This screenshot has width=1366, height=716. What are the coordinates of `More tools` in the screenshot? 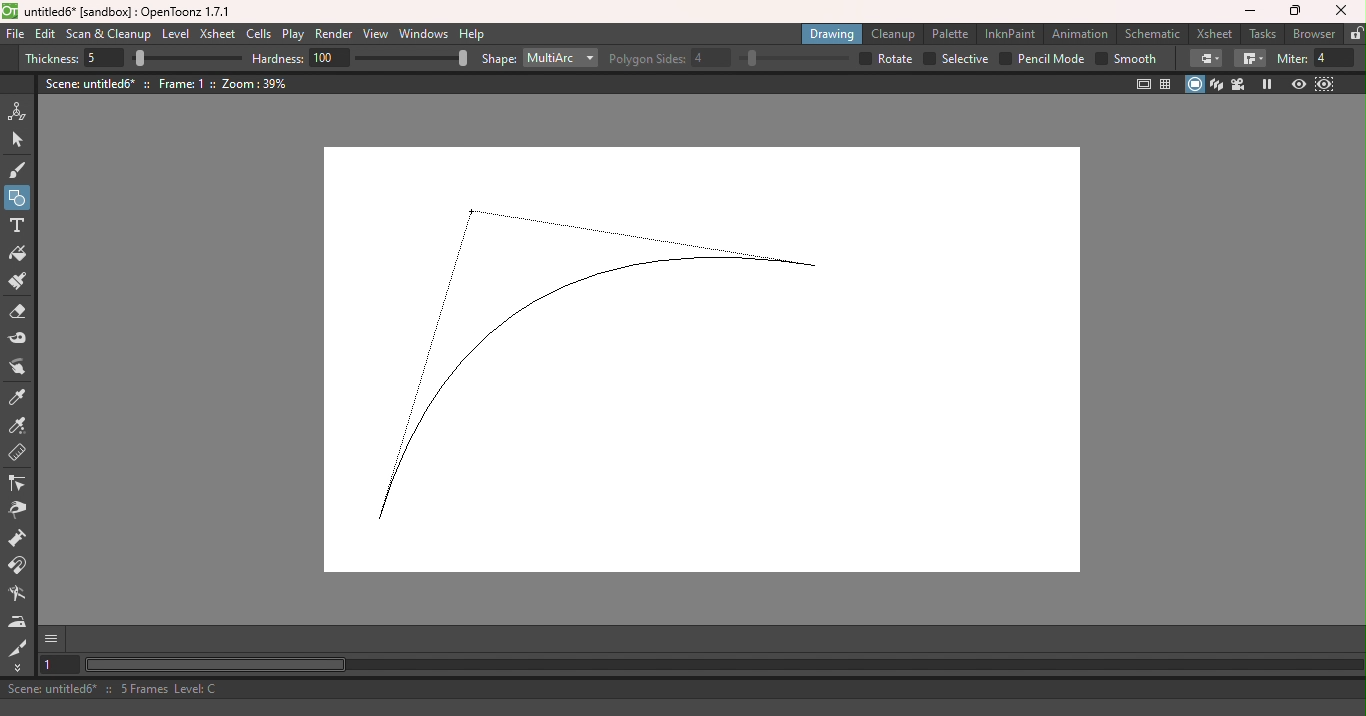 It's located at (18, 667).